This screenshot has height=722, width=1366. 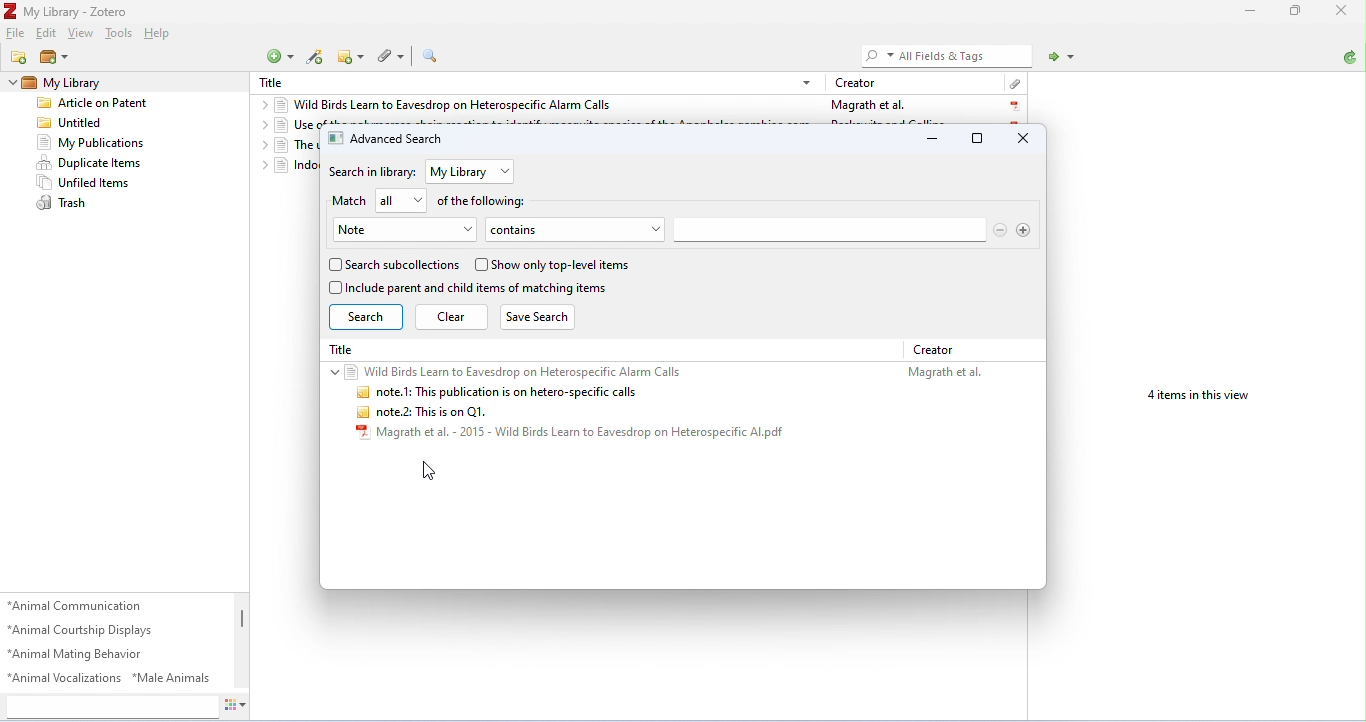 What do you see at coordinates (503, 393) in the screenshot?
I see `note.1: This publication is on hetero-specific calls` at bounding box center [503, 393].